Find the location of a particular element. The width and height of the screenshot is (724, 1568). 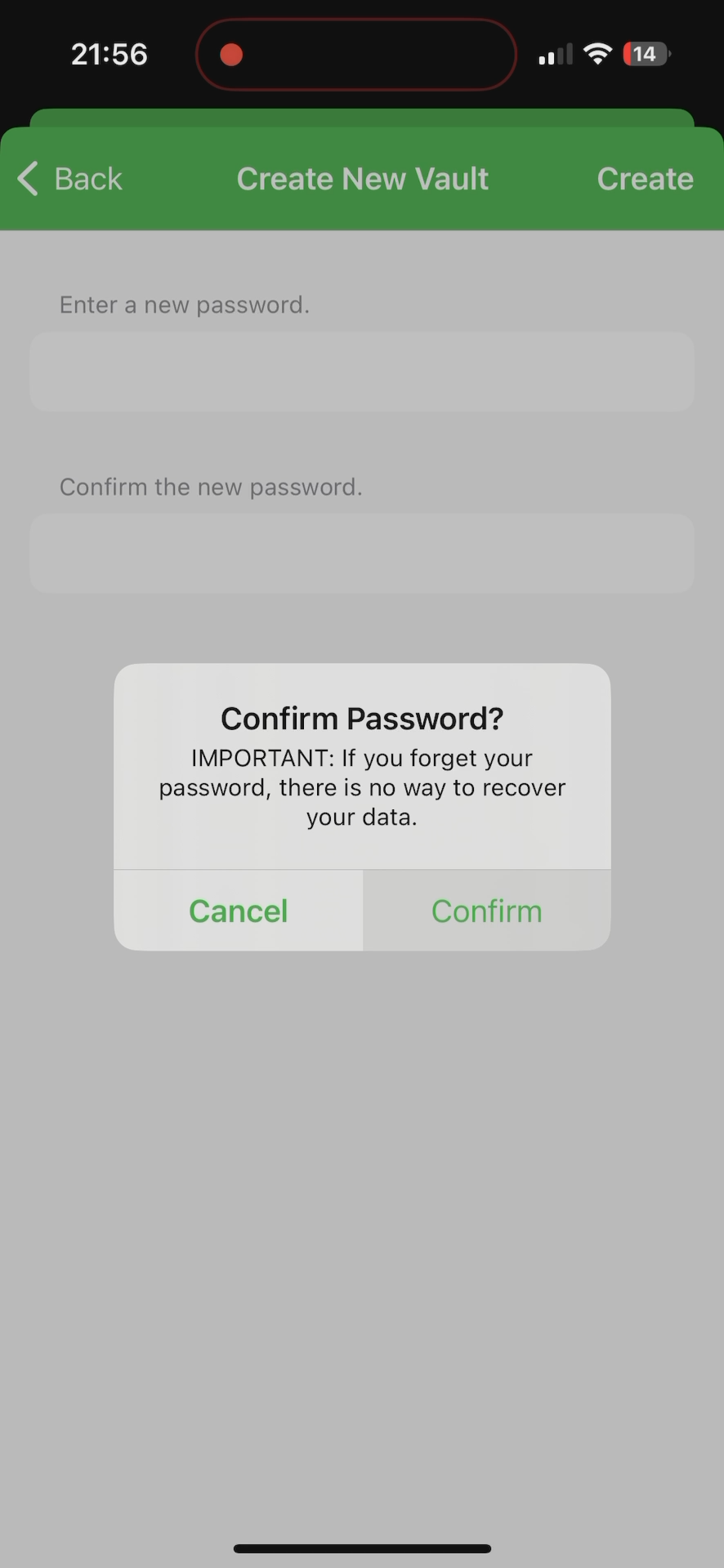

confirm is located at coordinates (485, 894).